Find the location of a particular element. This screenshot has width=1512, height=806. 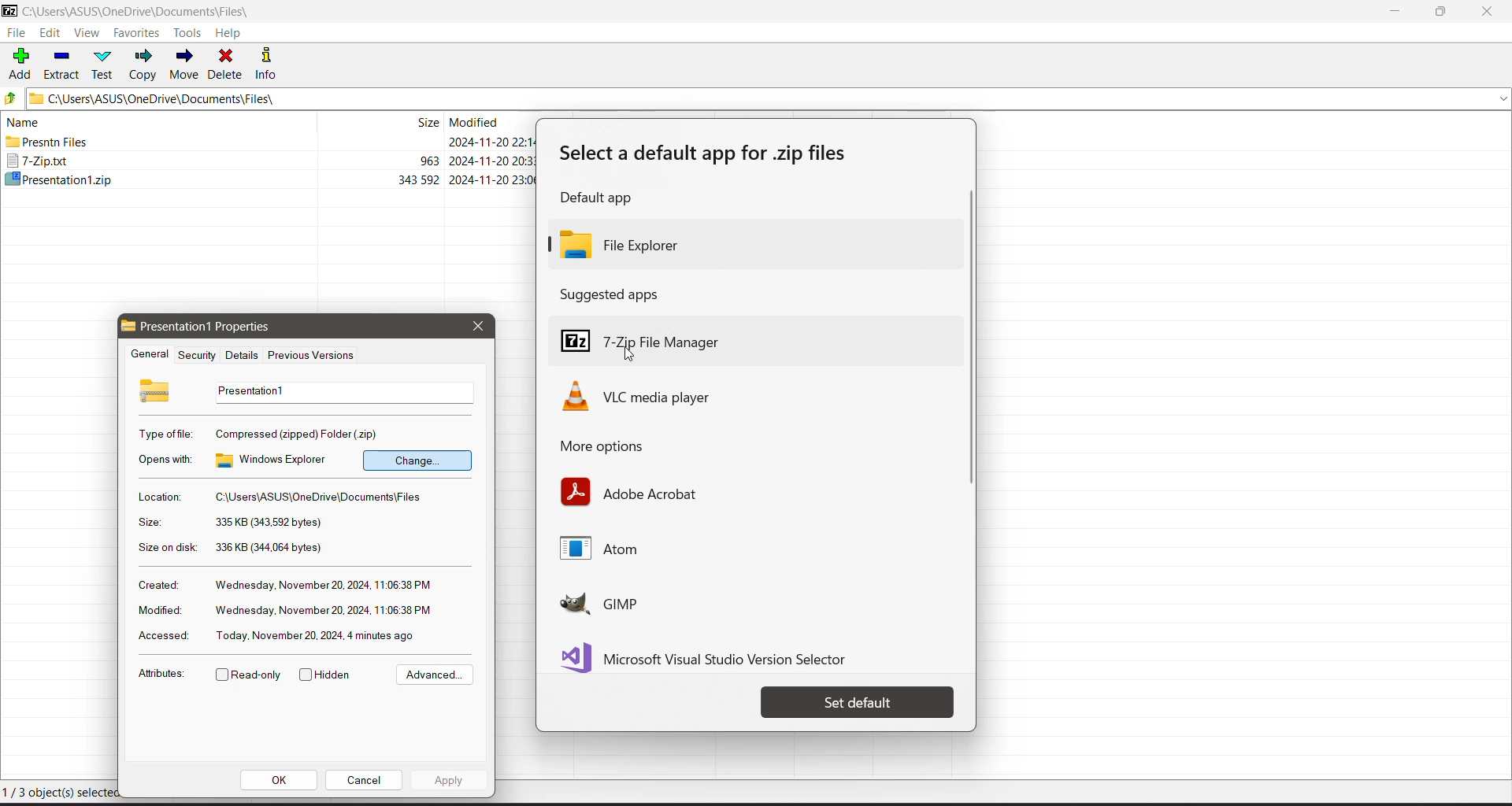

Security is located at coordinates (195, 355).